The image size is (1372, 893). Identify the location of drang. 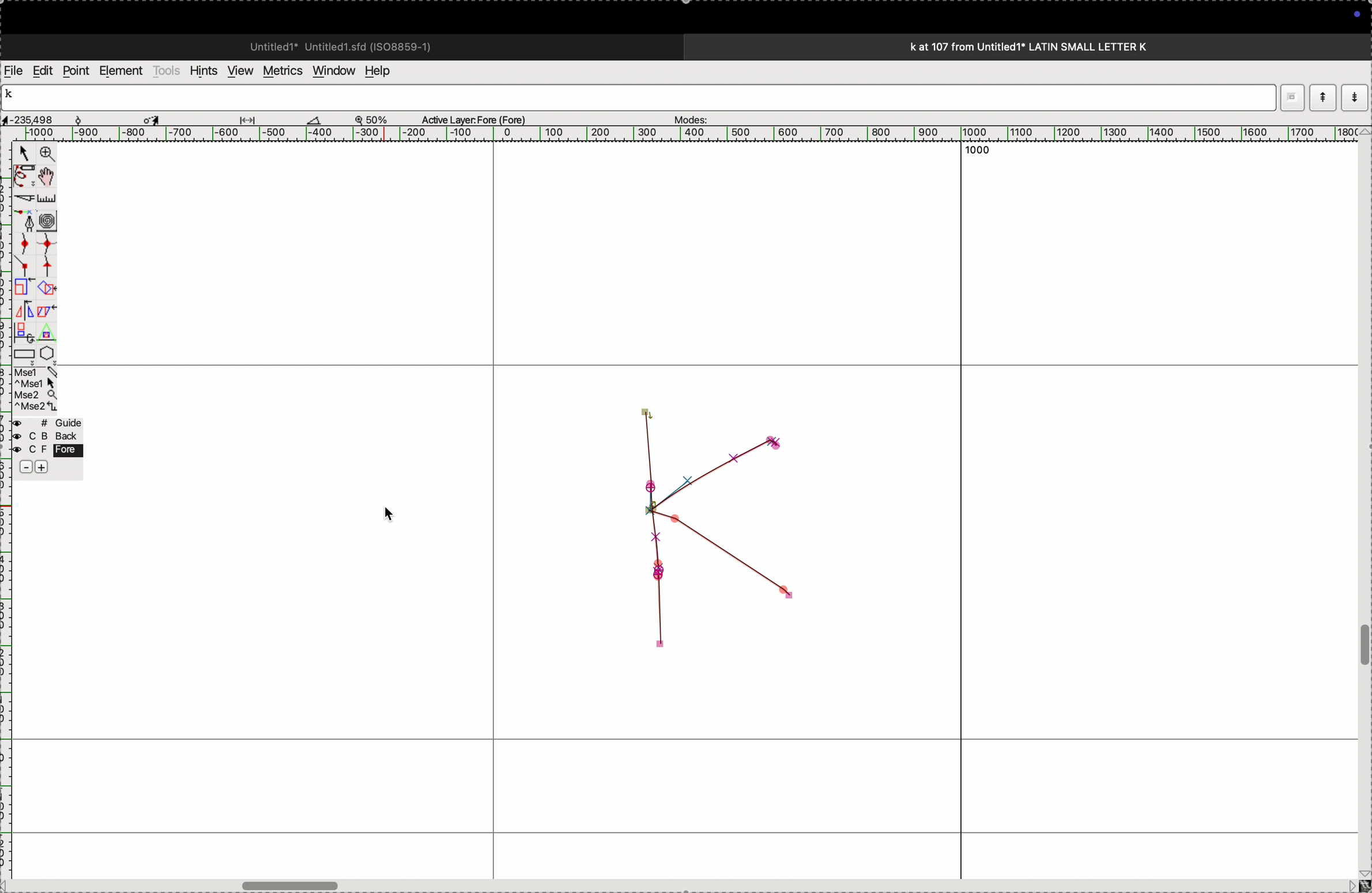
(254, 118).